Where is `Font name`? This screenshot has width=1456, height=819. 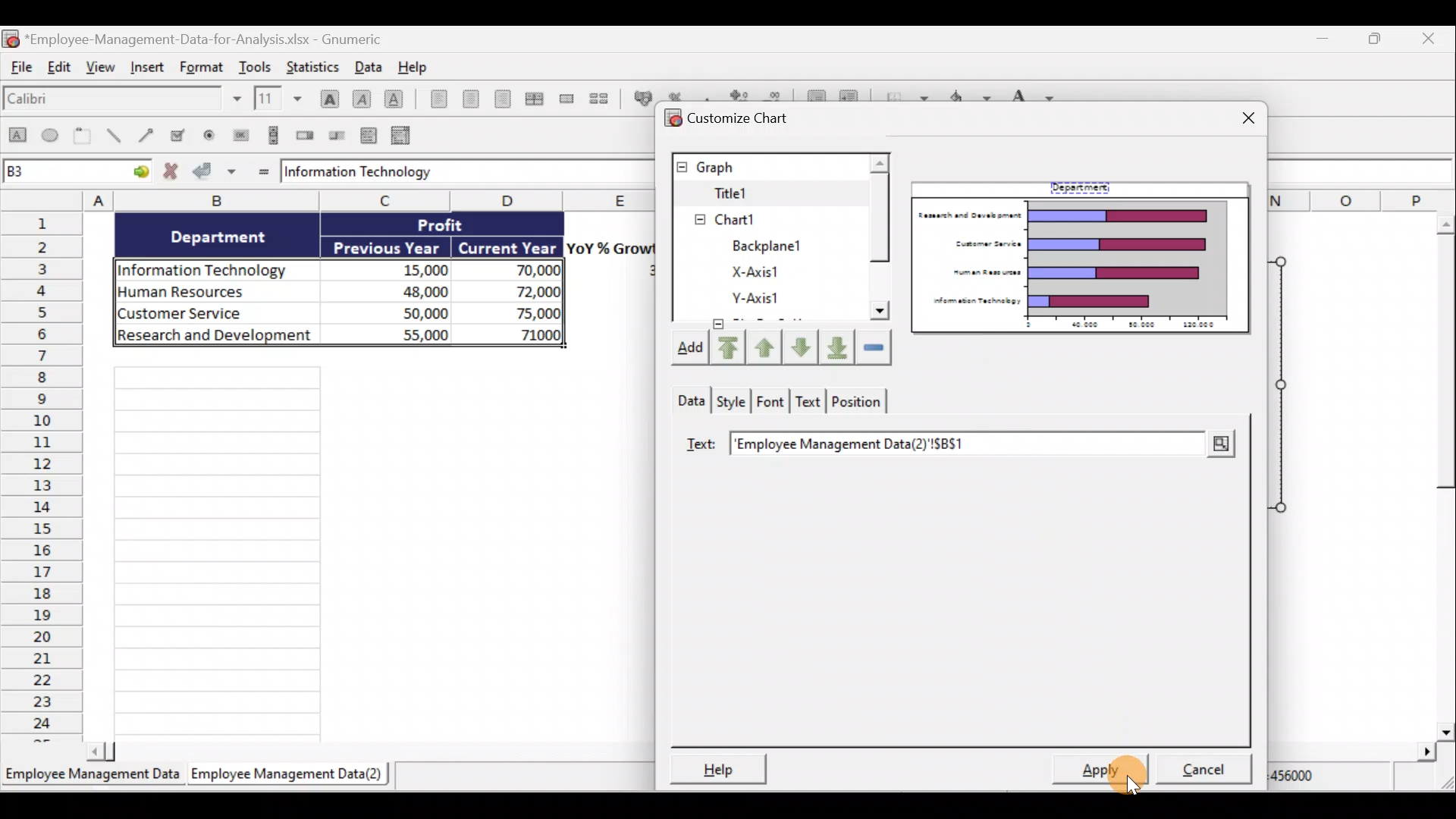 Font name is located at coordinates (124, 100).